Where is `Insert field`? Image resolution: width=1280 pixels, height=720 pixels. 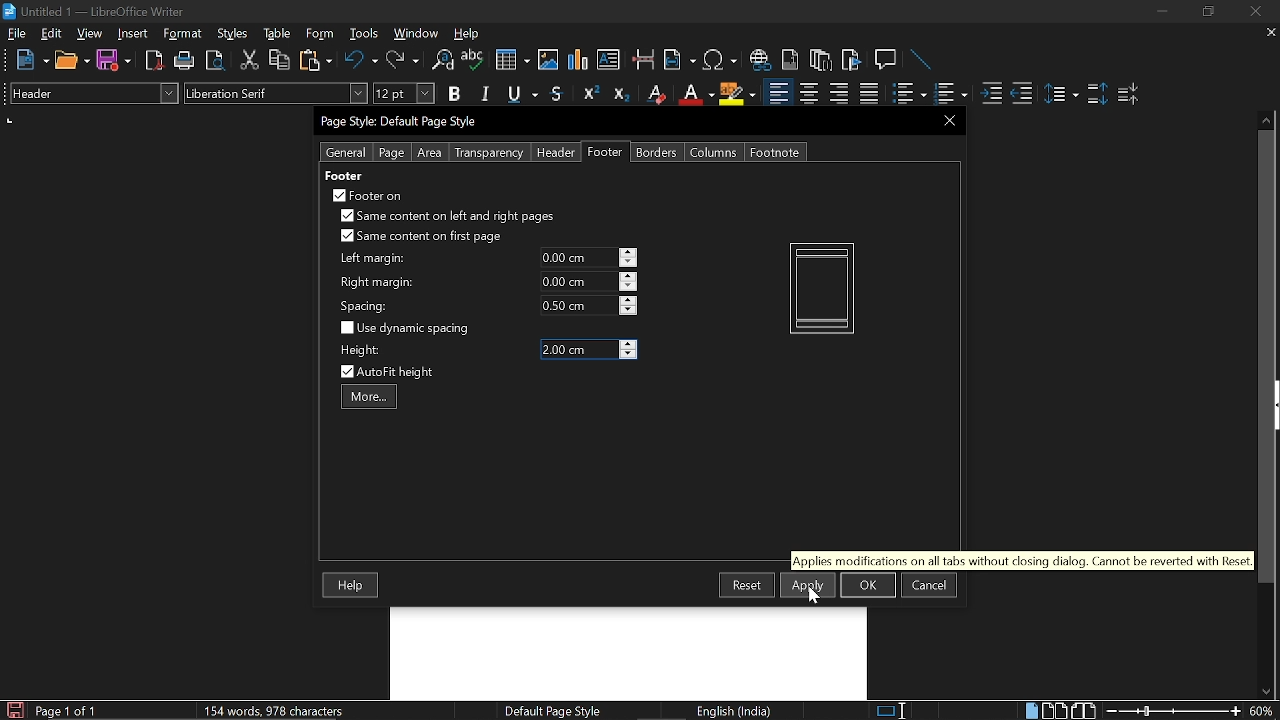 Insert field is located at coordinates (680, 61).